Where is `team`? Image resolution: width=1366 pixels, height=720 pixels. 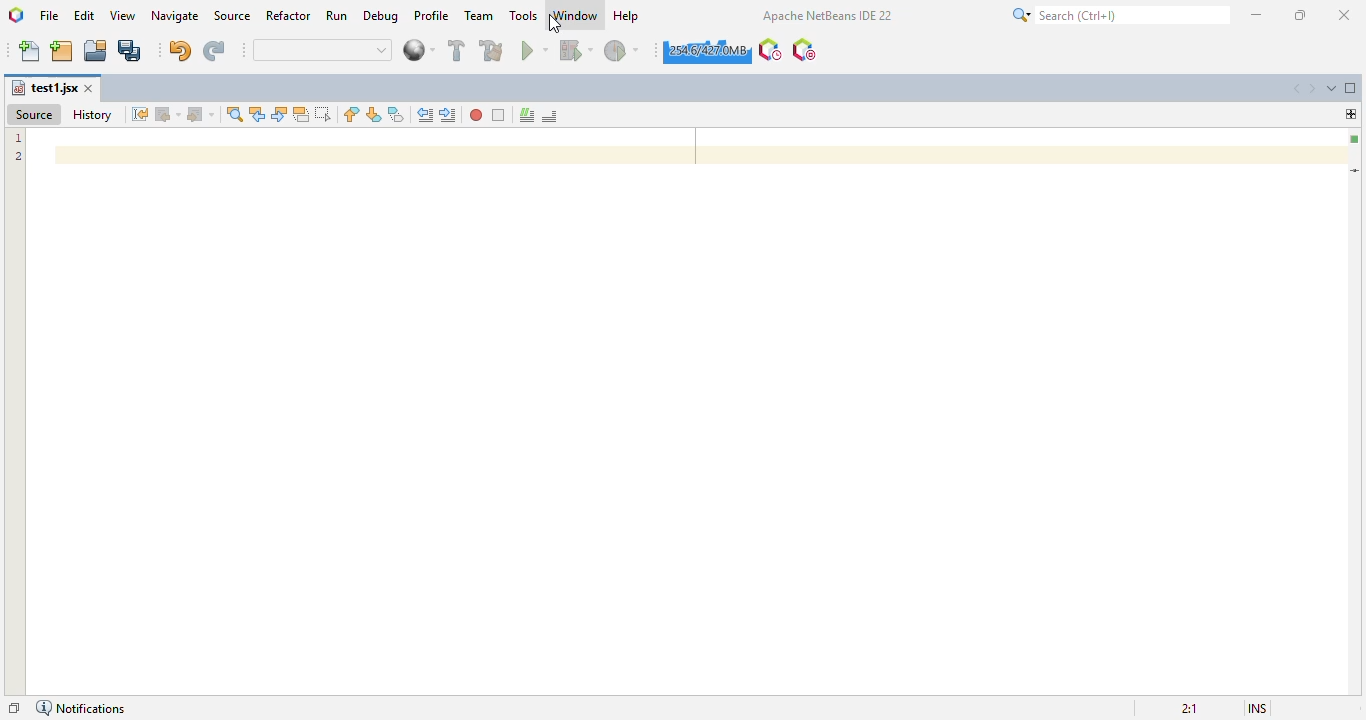
team is located at coordinates (480, 15).